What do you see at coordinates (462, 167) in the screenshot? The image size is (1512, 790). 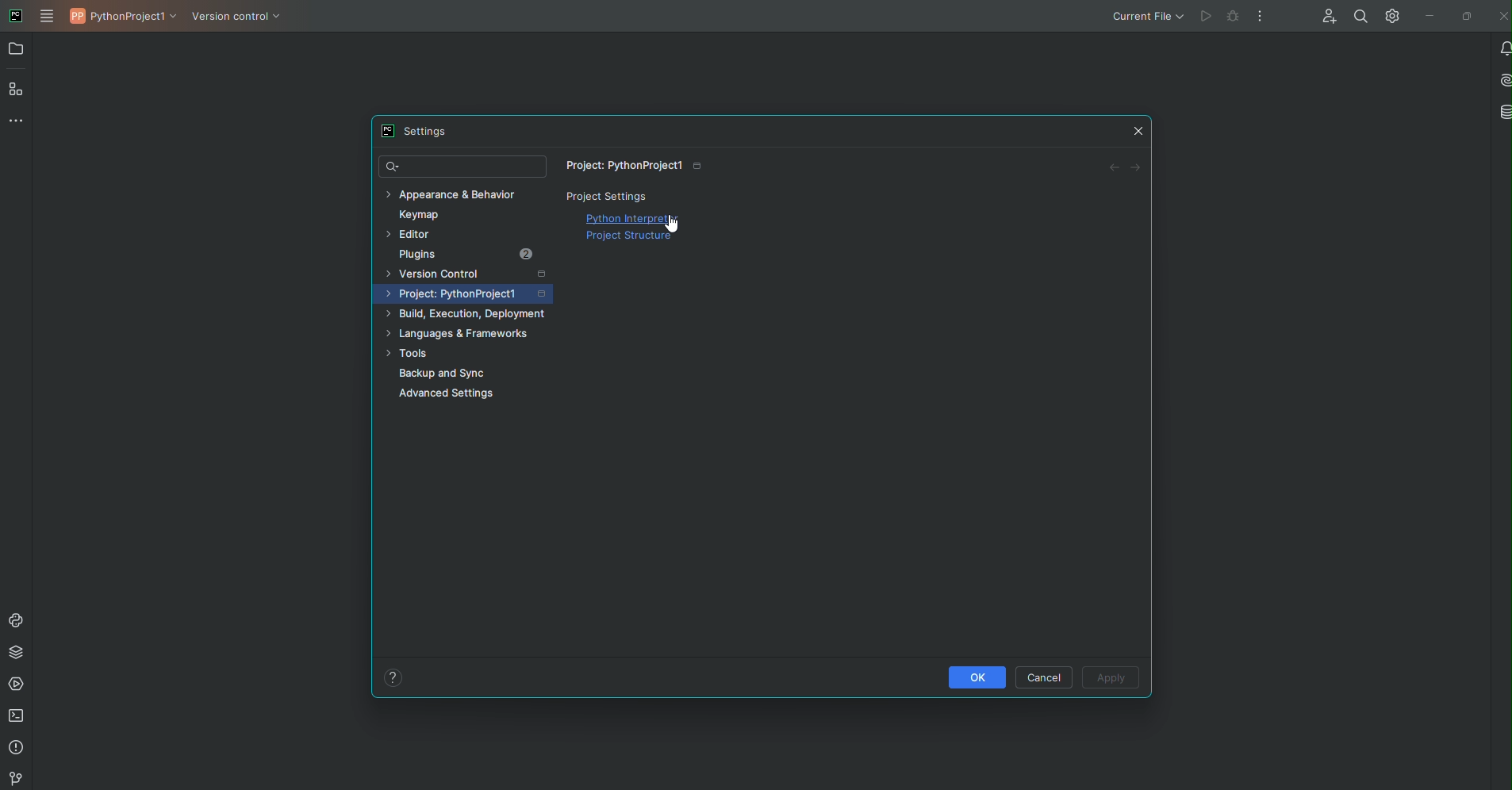 I see `Find` at bounding box center [462, 167].